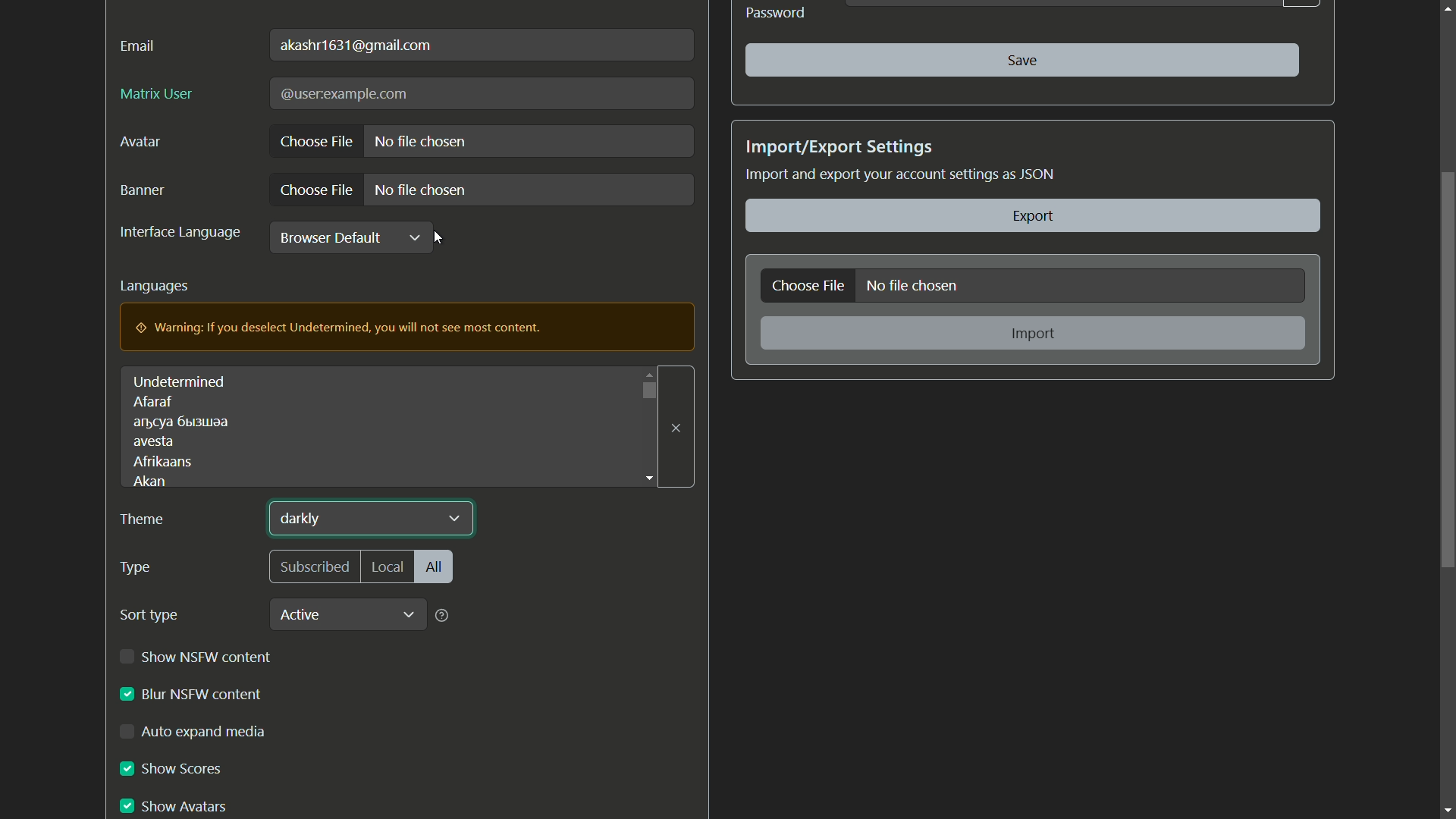 This screenshot has height=819, width=1456. Describe the element at coordinates (359, 45) in the screenshot. I see `user mail` at that location.